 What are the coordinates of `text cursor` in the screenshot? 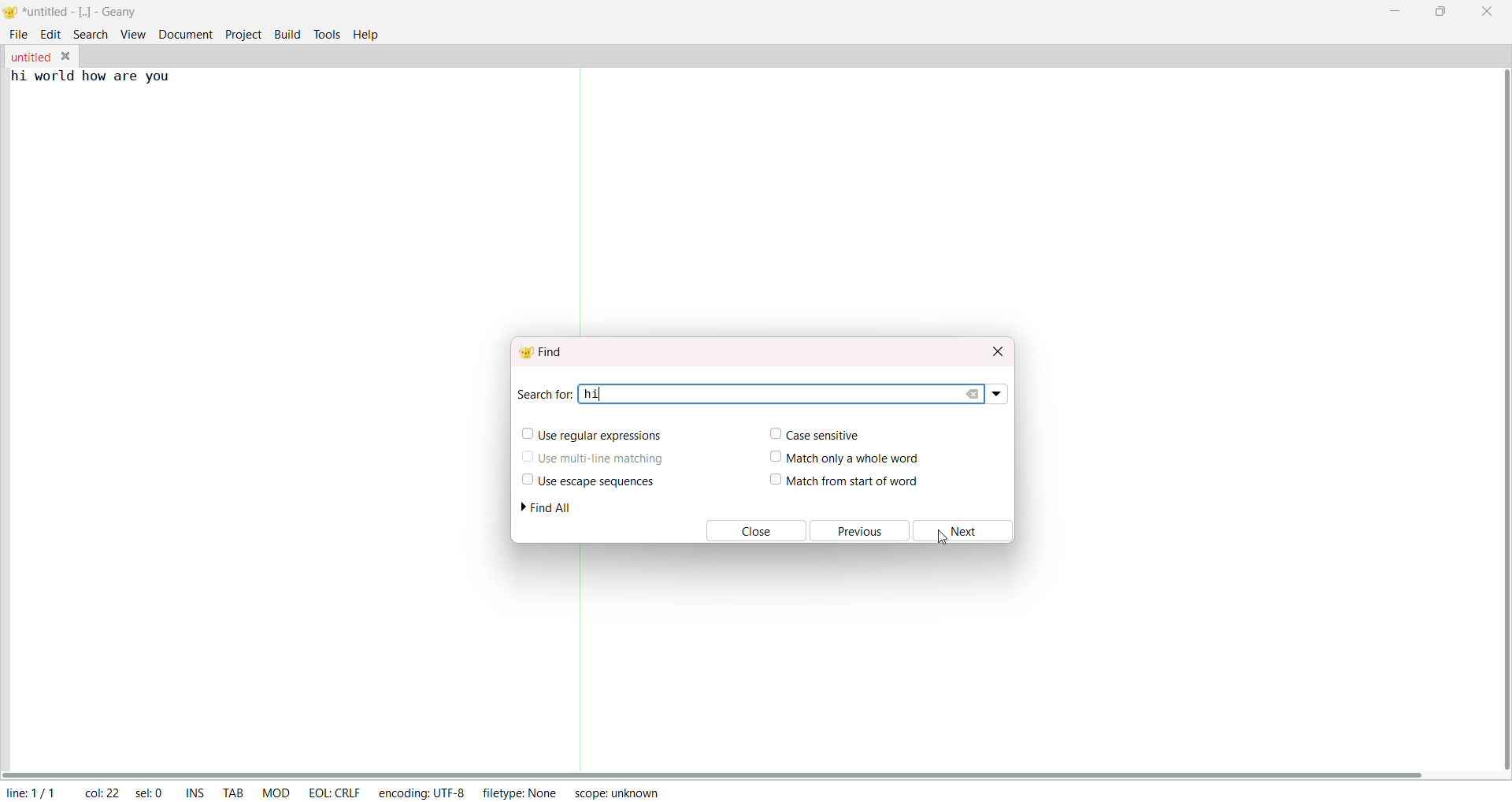 It's located at (603, 391).